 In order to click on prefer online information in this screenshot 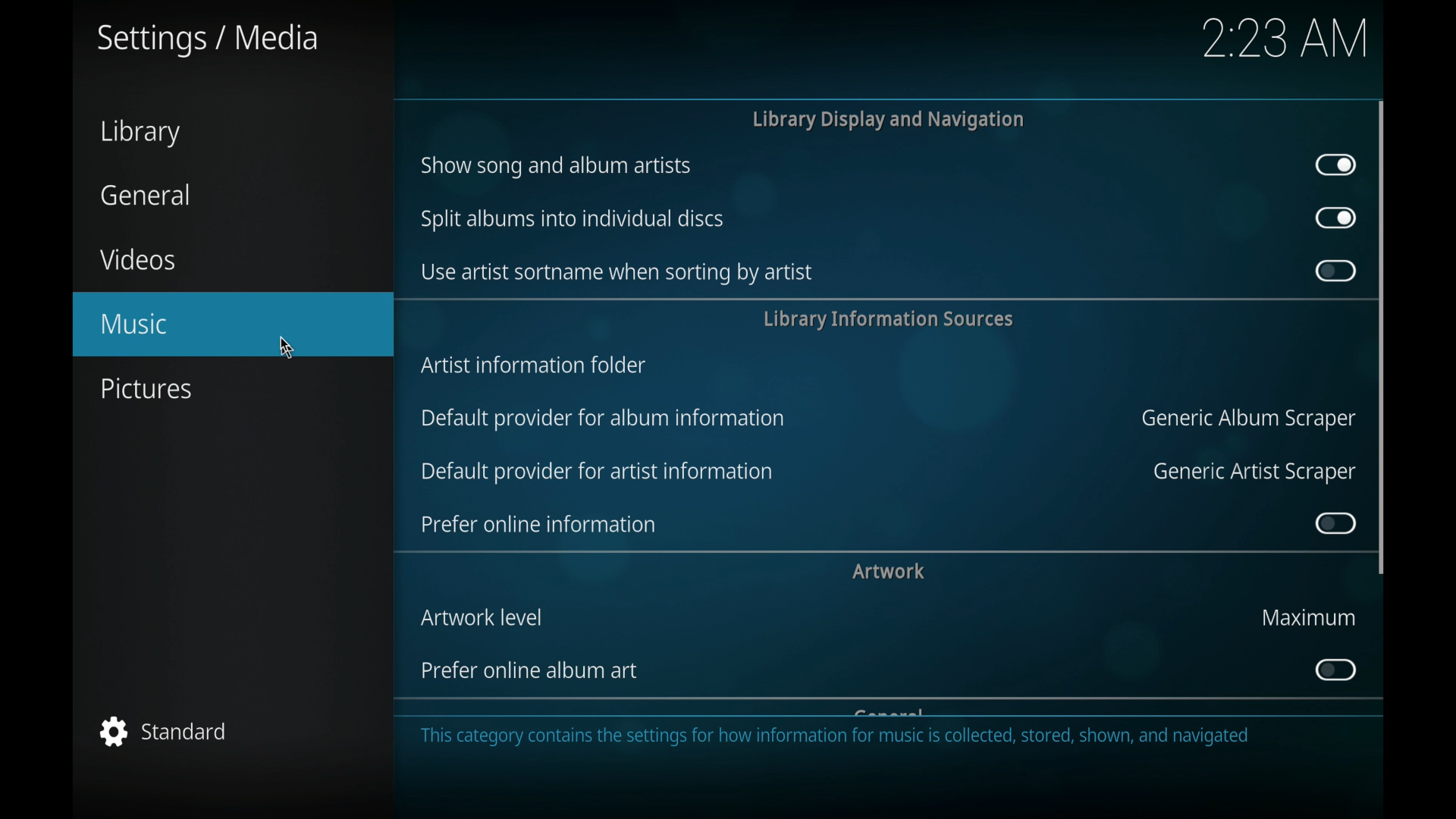, I will do `click(538, 524)`.